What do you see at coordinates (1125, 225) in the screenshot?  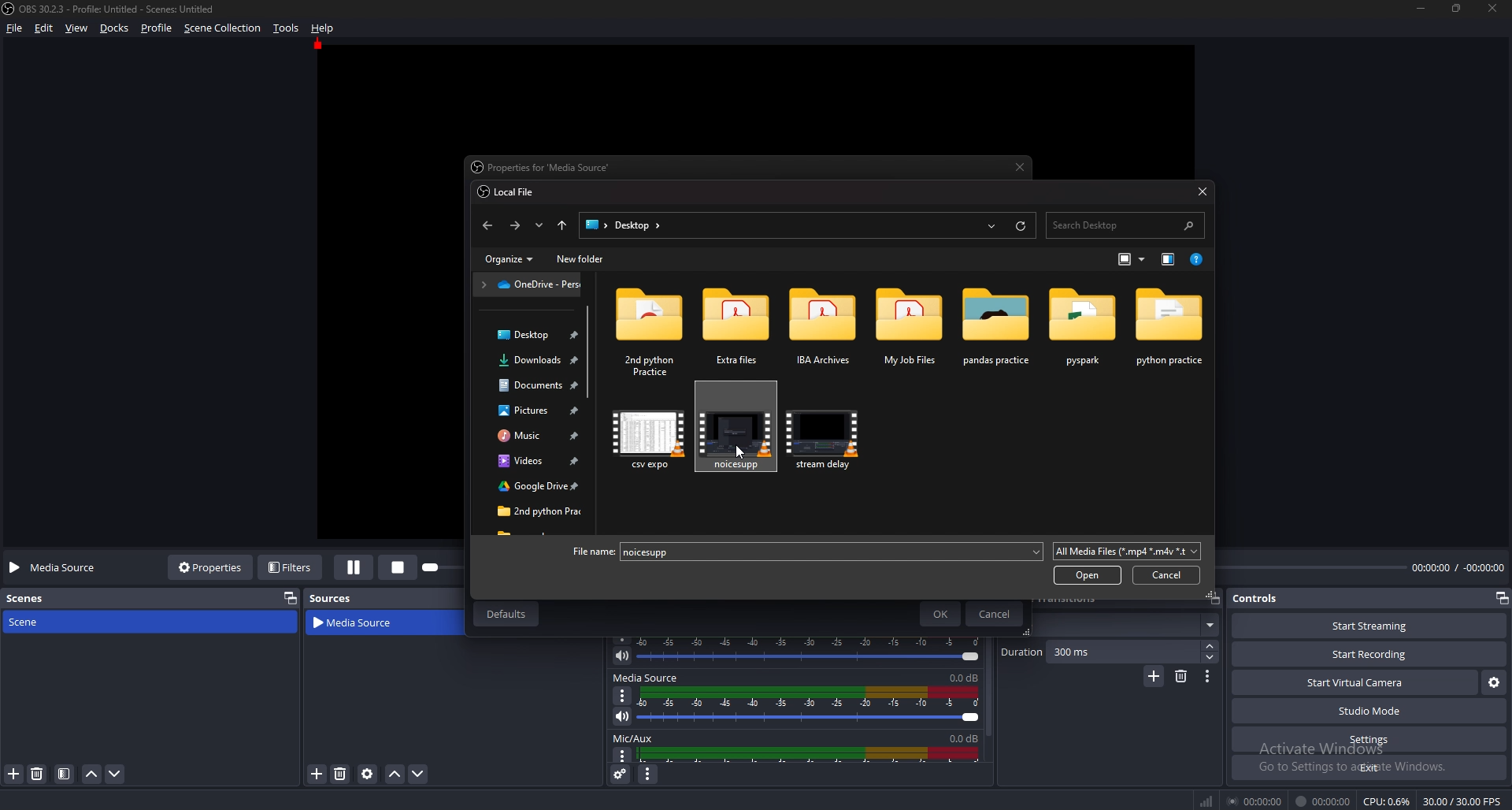 I see `Search Desktop` at bounding box center [1125, 225].